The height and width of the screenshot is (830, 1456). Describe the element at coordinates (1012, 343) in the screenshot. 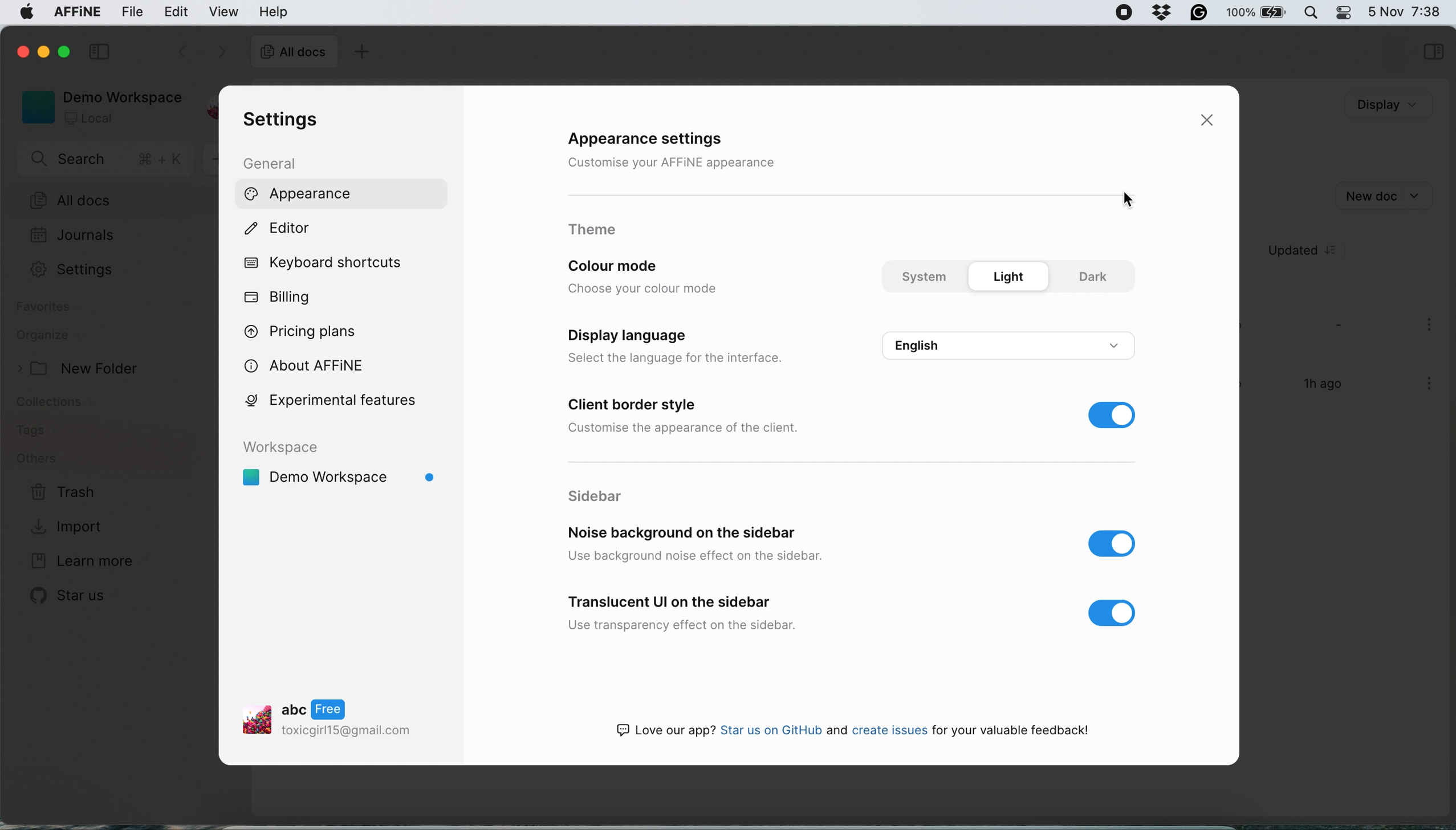

I see `english` at that location.